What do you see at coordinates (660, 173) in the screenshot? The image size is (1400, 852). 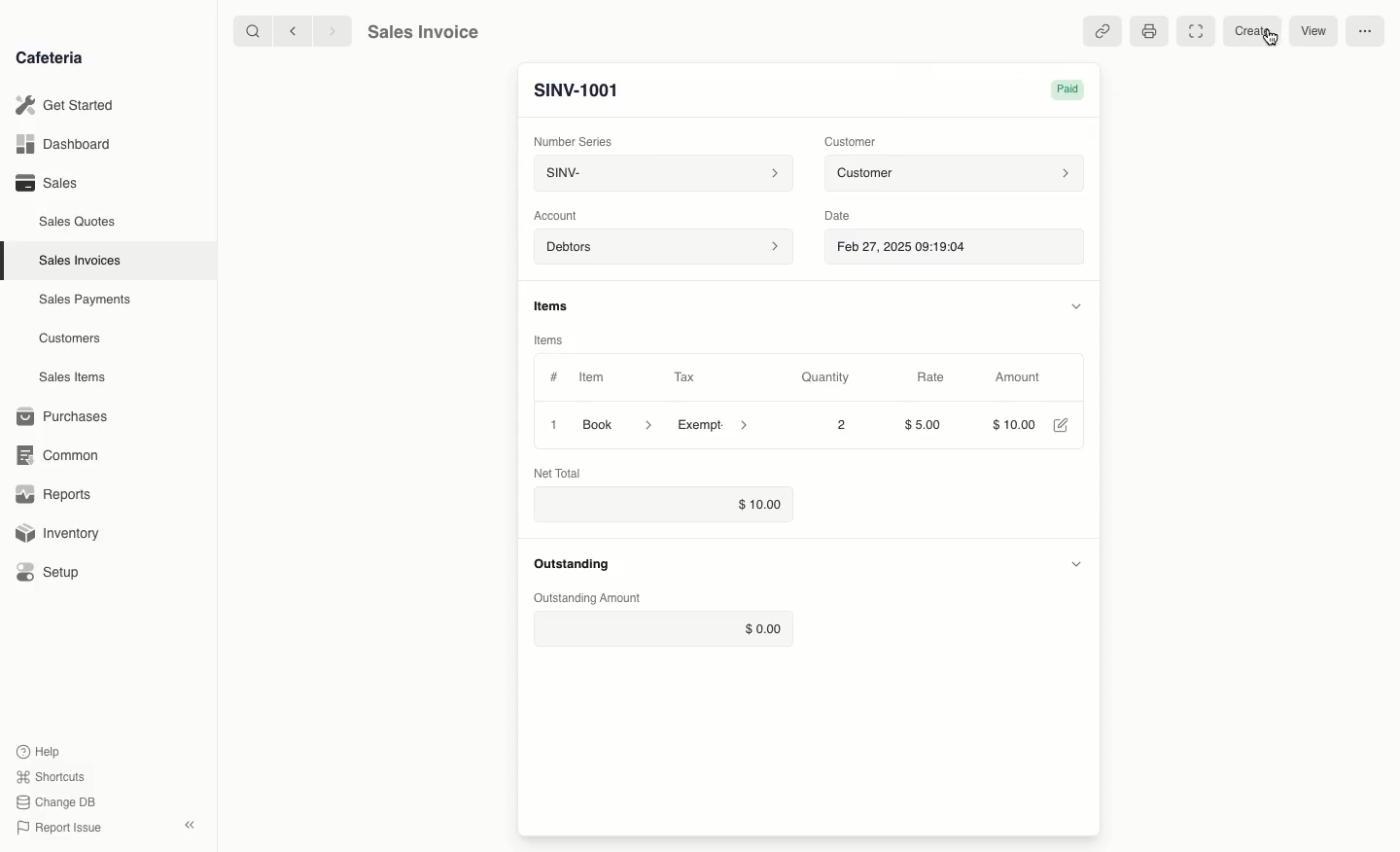 I see `SINV-` at bounding box center [660, 173].